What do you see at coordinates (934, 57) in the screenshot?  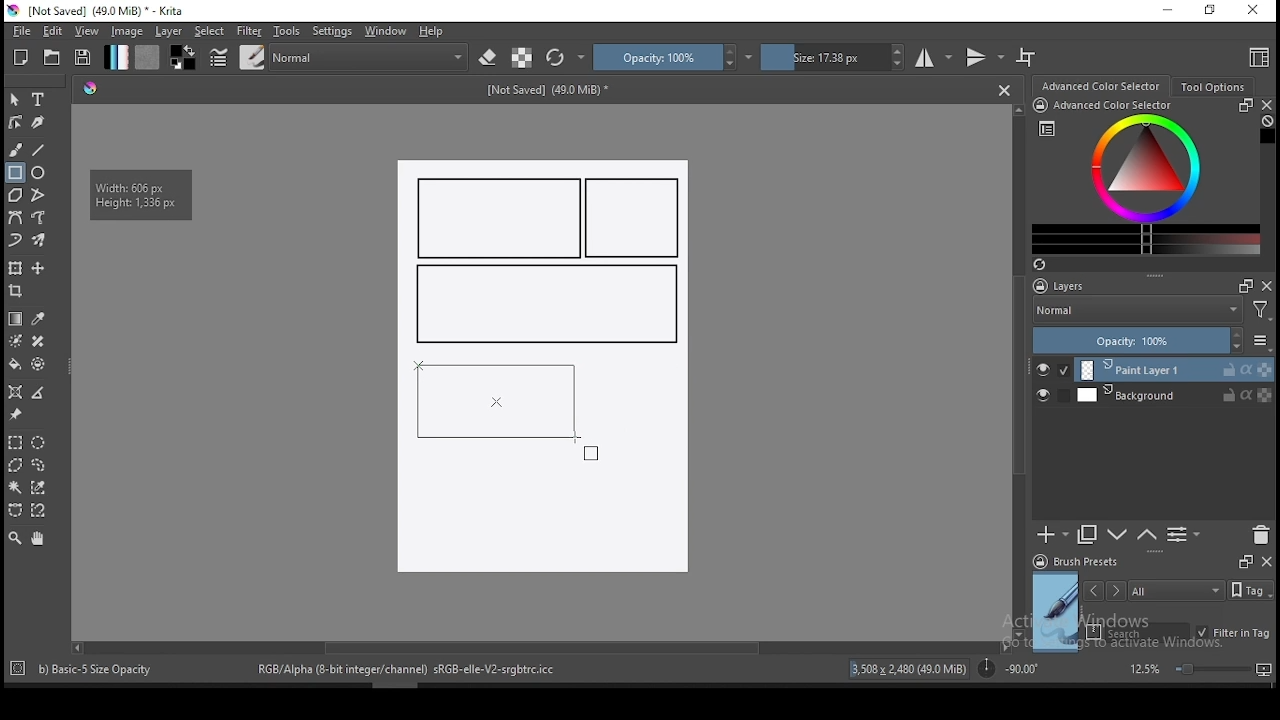 I see `horizontal mirror tool` at bounding box center [934, 57].